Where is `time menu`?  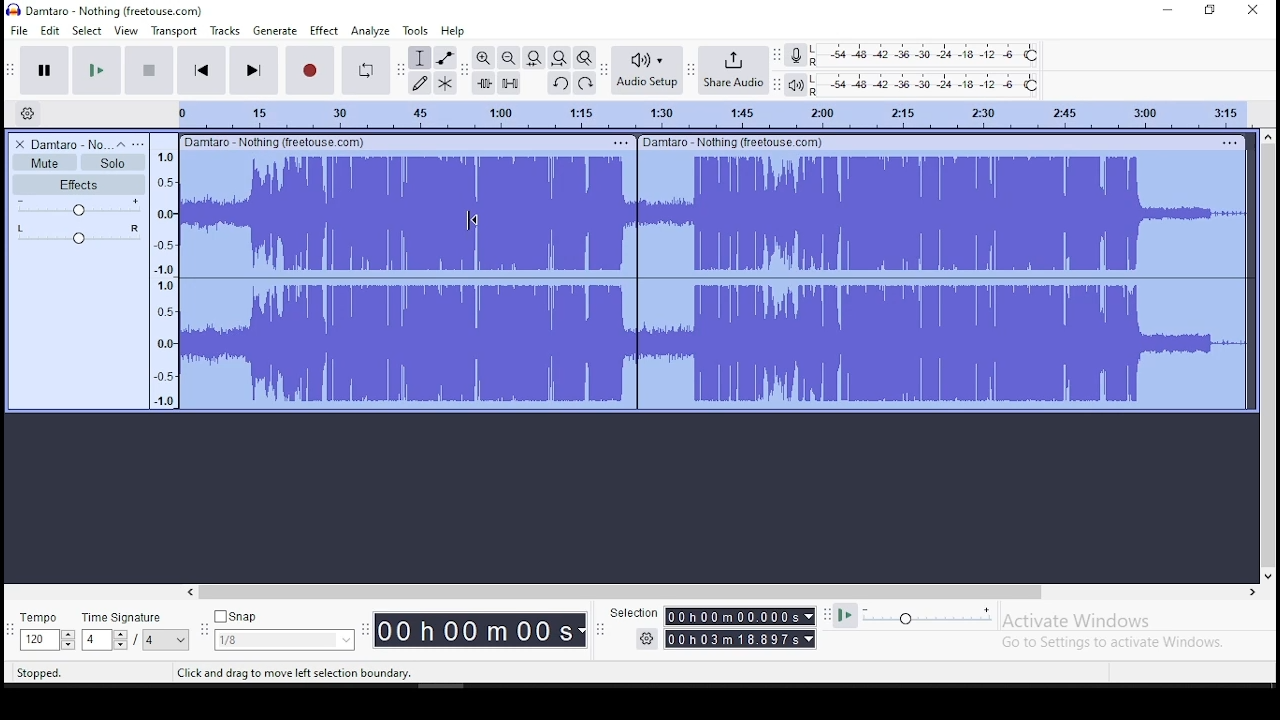
time menu is located at coordinates (480, 630).